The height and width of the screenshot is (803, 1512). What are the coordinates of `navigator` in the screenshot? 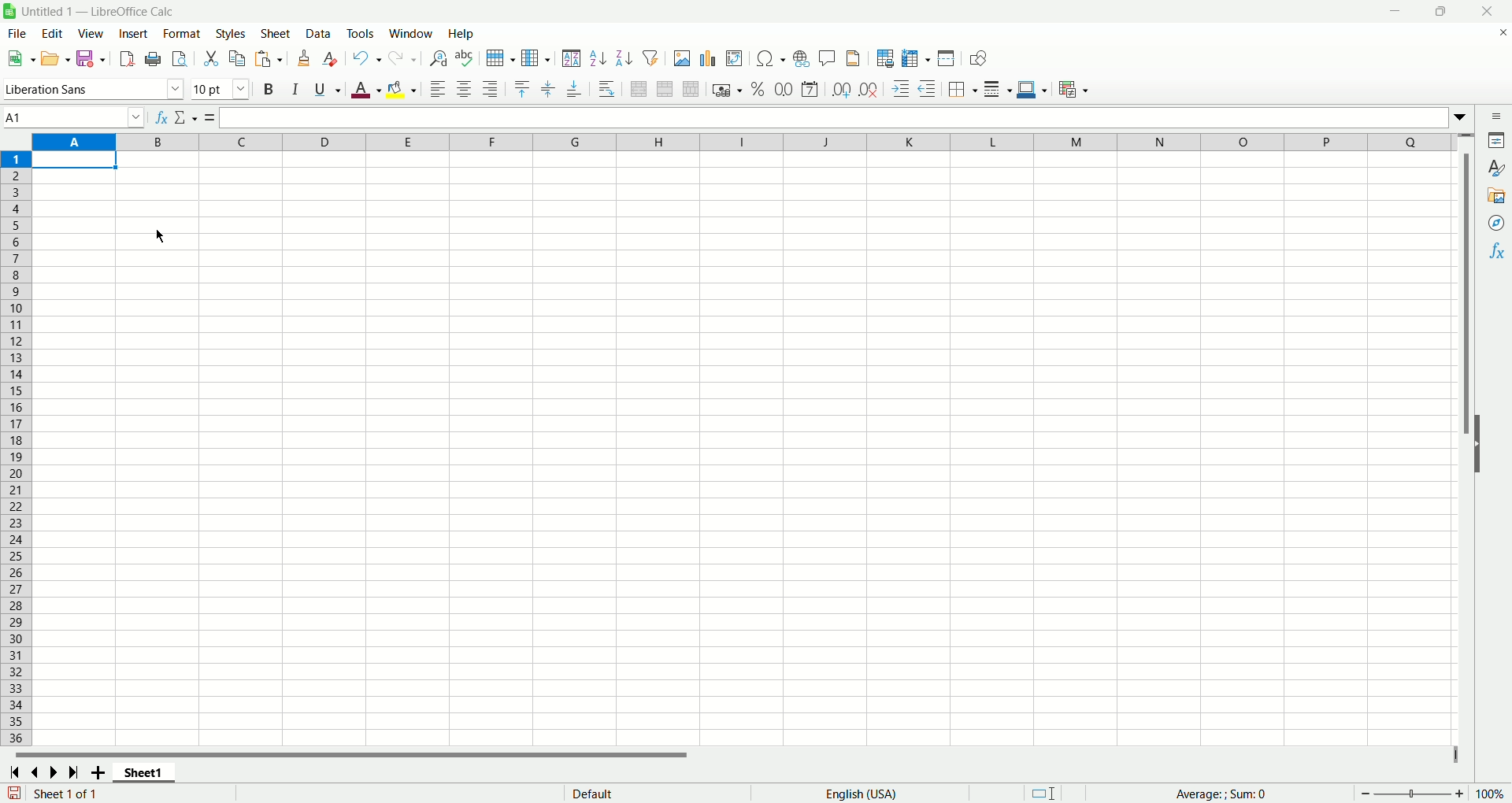 It's located at (1498, 223).